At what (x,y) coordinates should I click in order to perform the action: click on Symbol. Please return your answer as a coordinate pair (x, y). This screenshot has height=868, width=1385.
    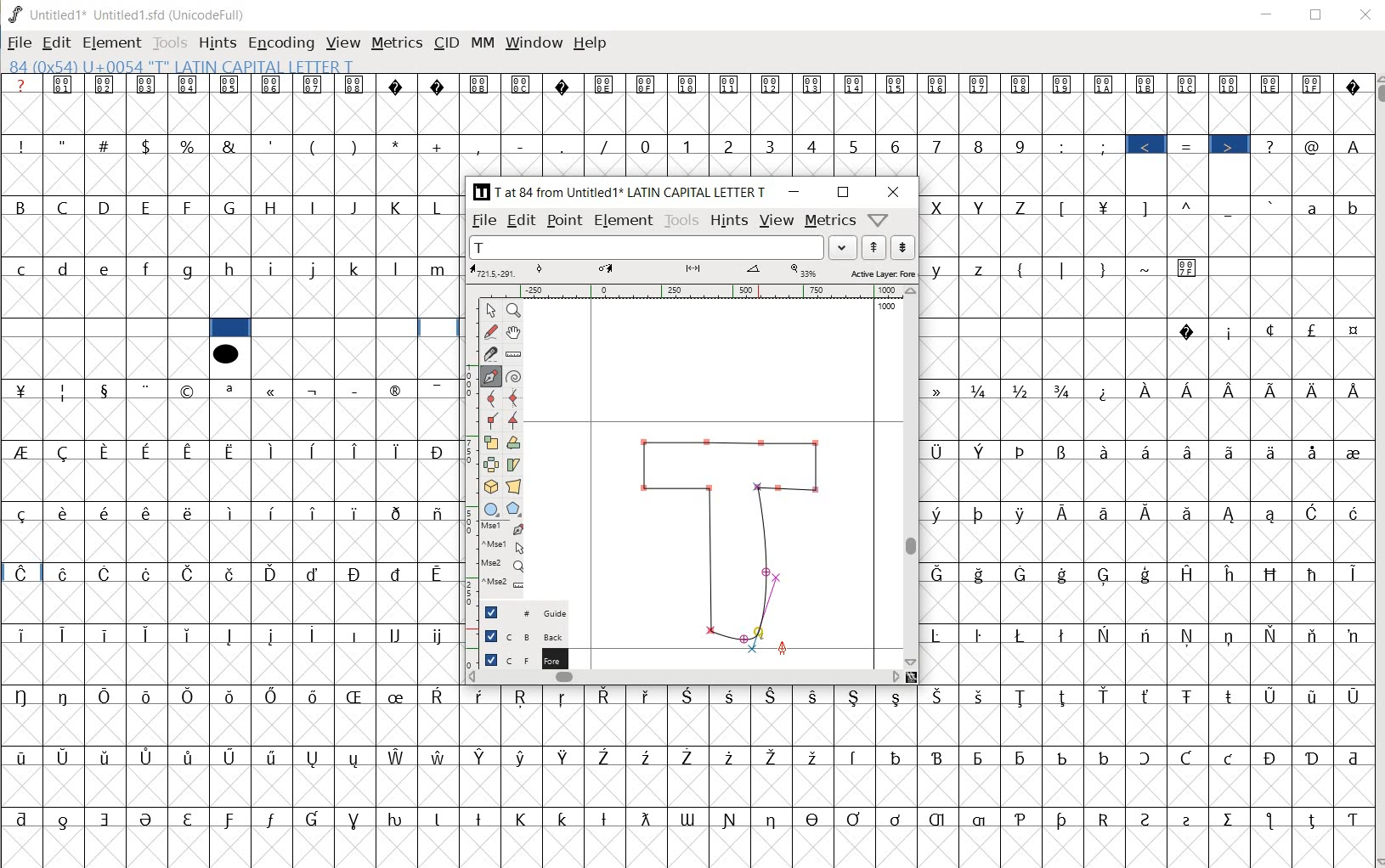
    Looking at the image, I should click on (150, 696).